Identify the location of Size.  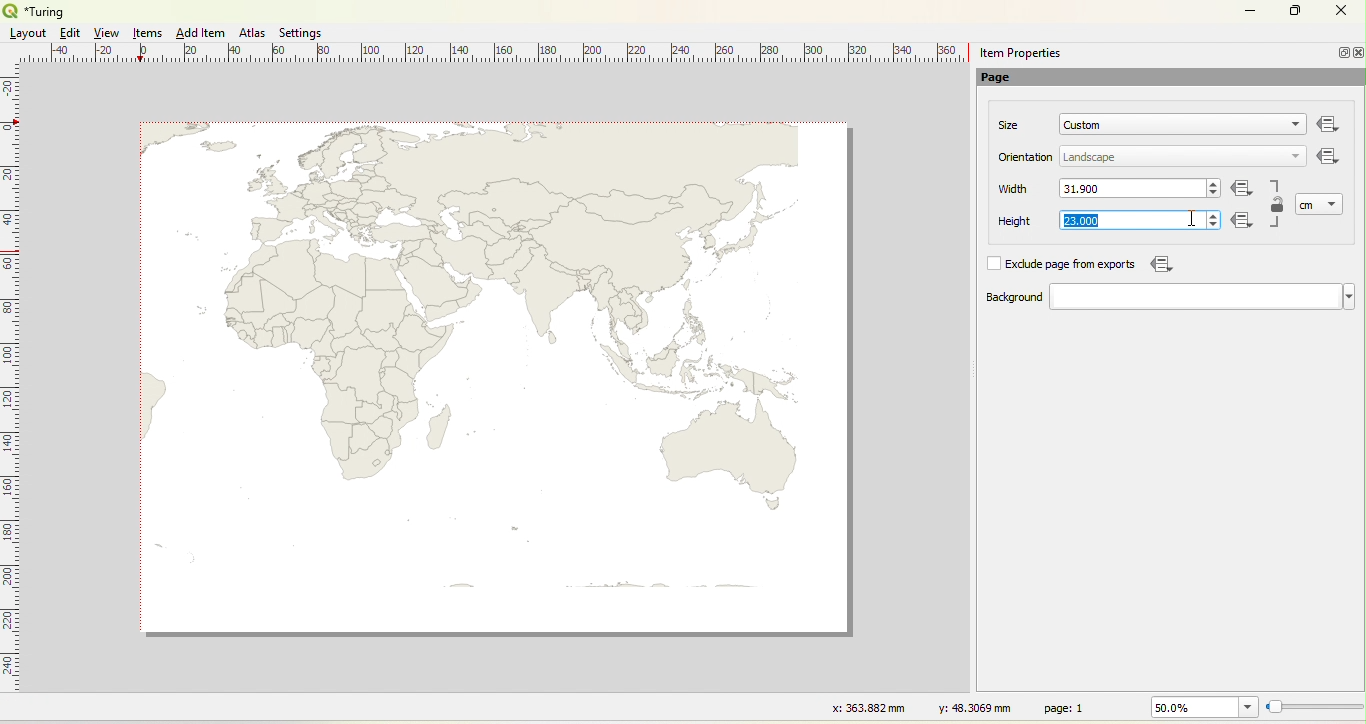
(1010, 125).